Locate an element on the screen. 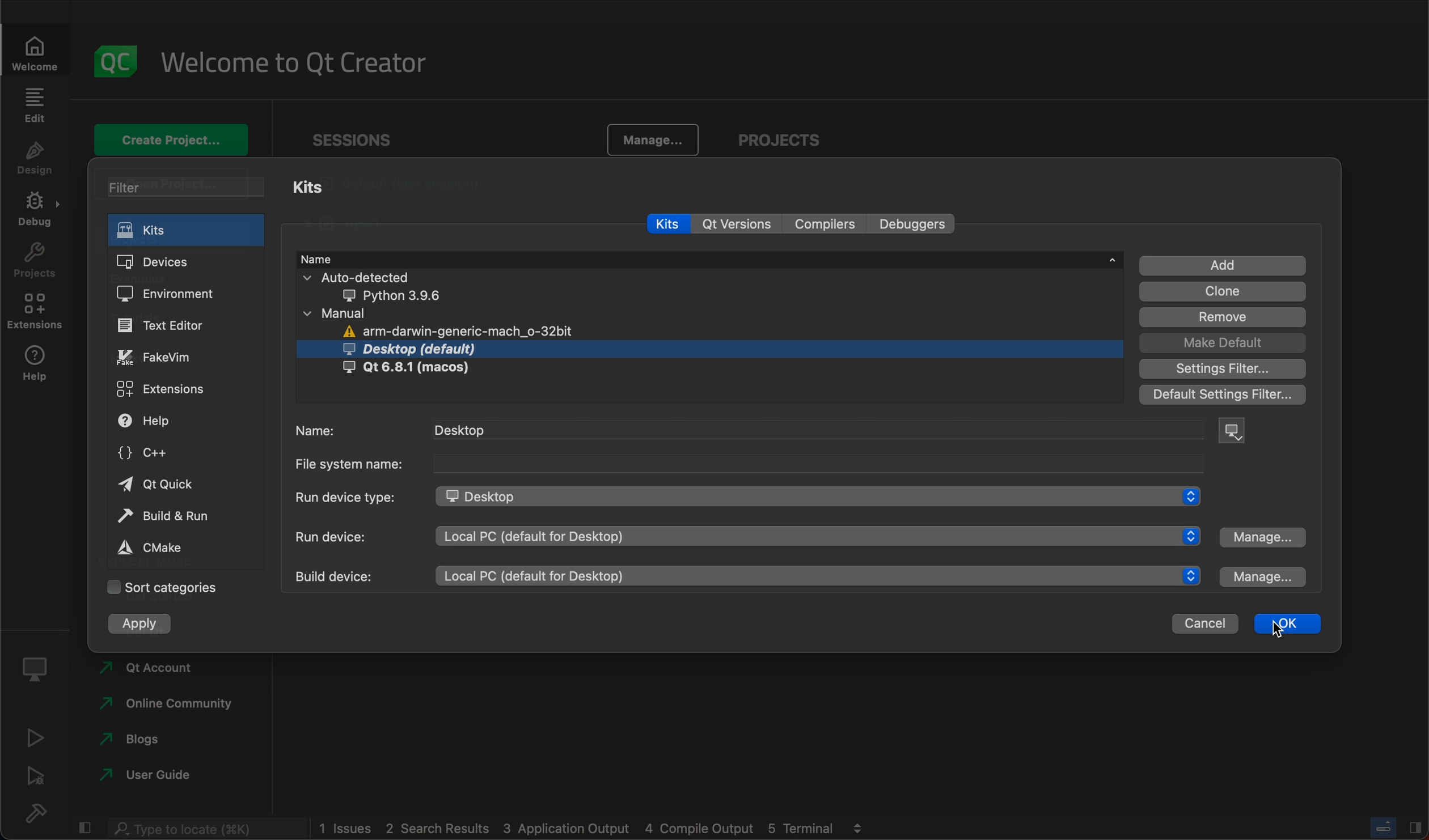 The image size is (1429, 840). kits is located at coordinates (315, 189).